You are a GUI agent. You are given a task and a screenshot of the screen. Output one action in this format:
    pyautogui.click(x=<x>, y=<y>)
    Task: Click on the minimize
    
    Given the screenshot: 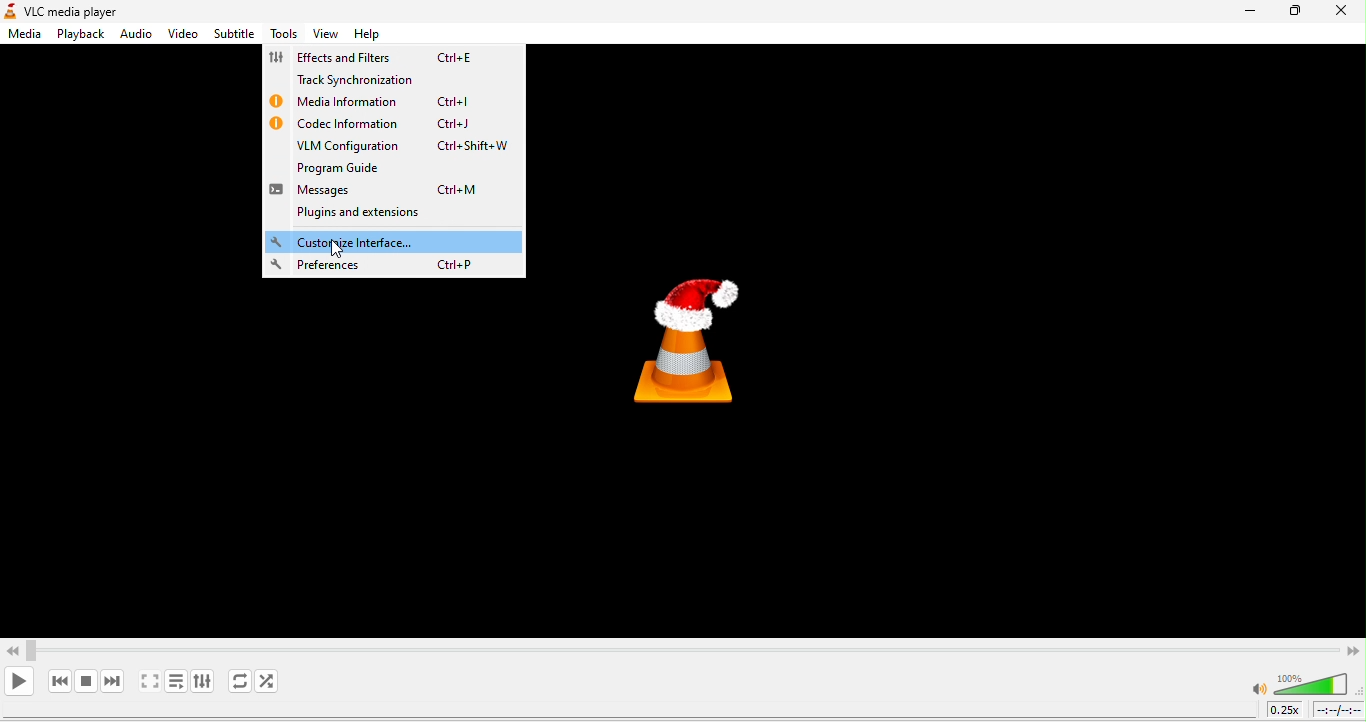 What is the action you would take?
    pyautogui.click(x=1243, y=16)
    